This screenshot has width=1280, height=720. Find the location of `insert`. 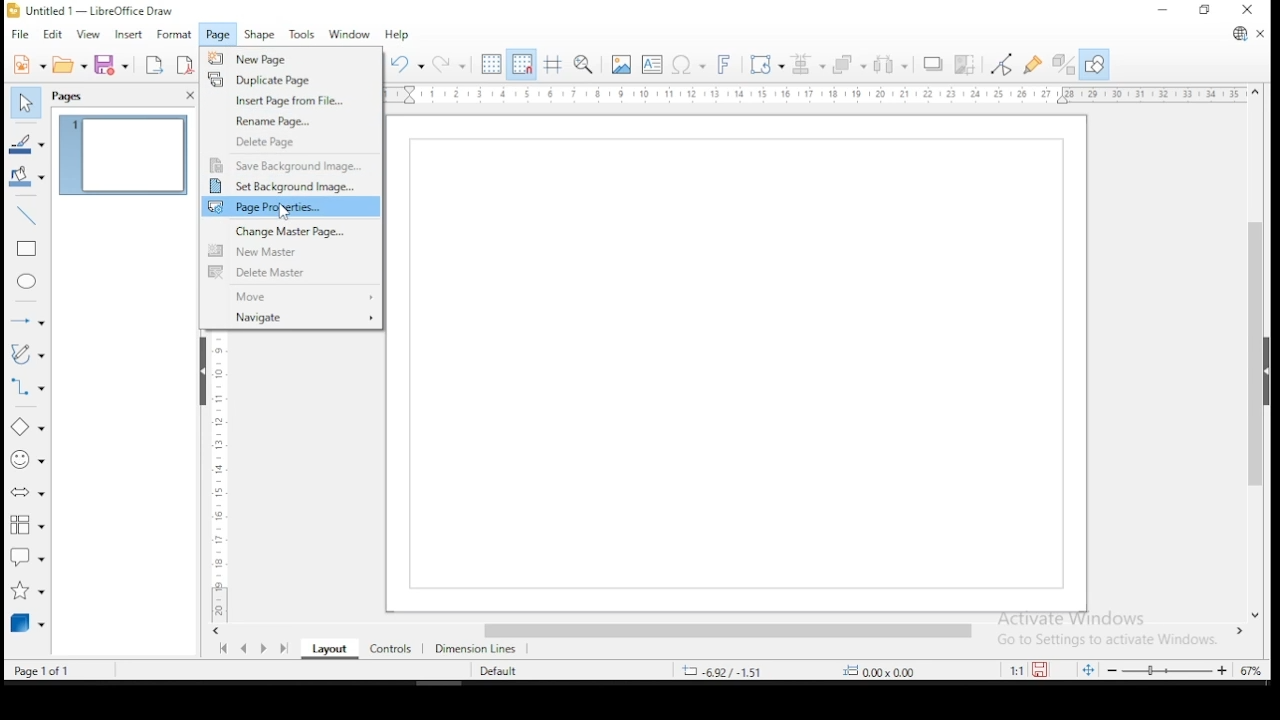

insert is located at coordinates (130, 36).